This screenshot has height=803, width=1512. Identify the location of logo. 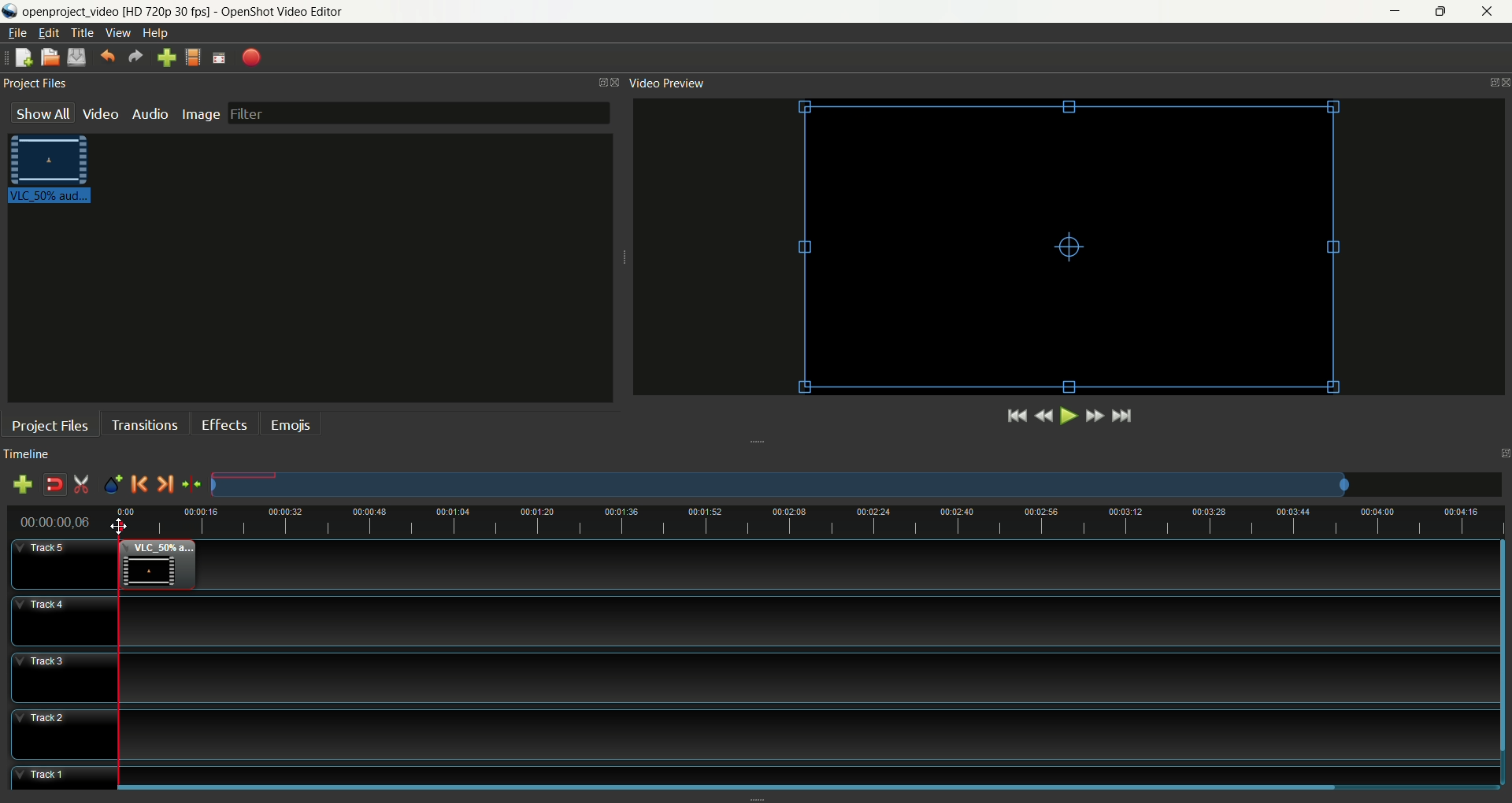
(10, 11).